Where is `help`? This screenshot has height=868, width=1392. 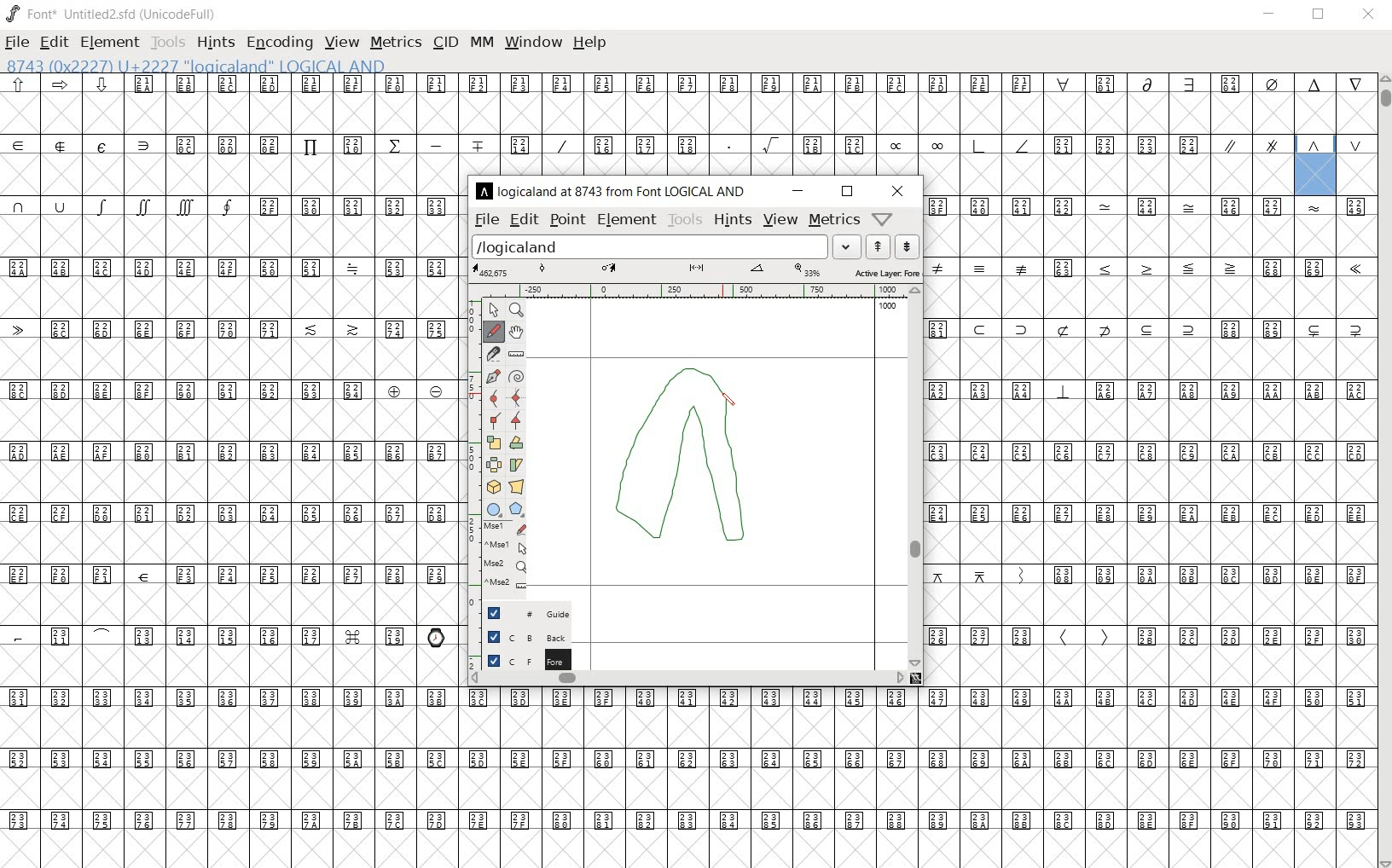 help is located at coordinates (589, 43).